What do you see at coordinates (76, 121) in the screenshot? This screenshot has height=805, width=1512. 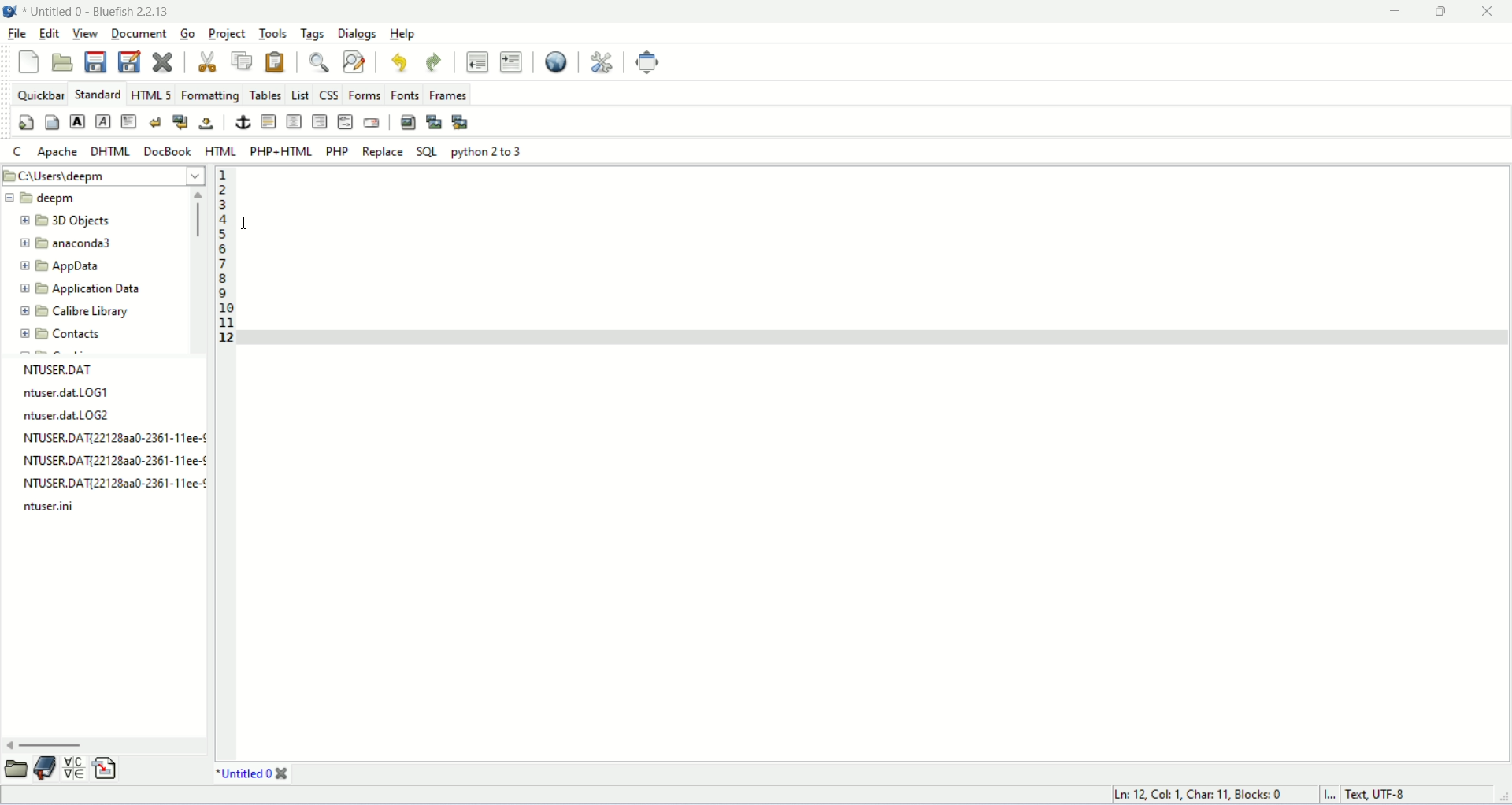 I see `strong` at bounding box center [76, 121].